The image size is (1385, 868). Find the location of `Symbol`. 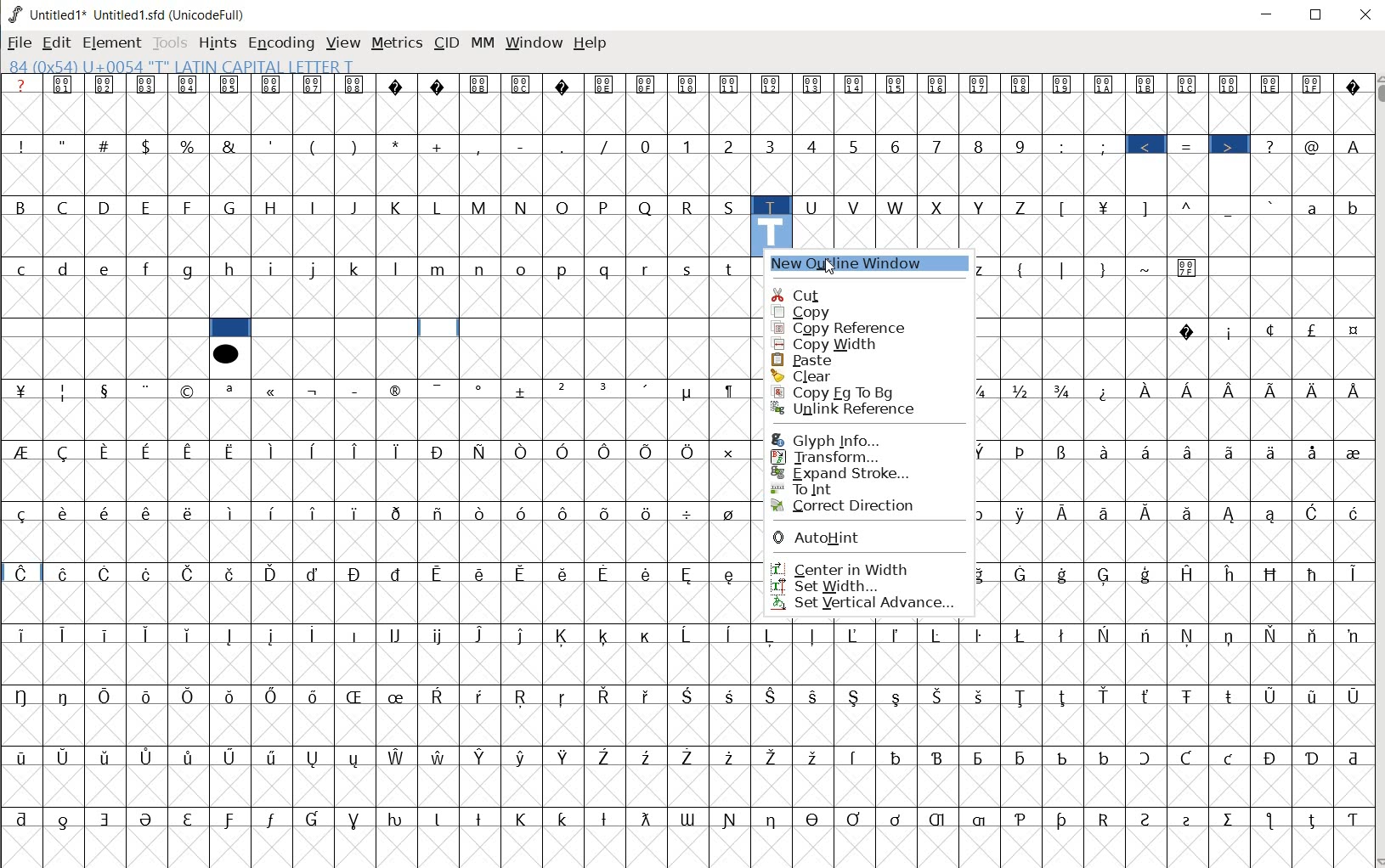

Symbol is located at coordinates (65, 85).